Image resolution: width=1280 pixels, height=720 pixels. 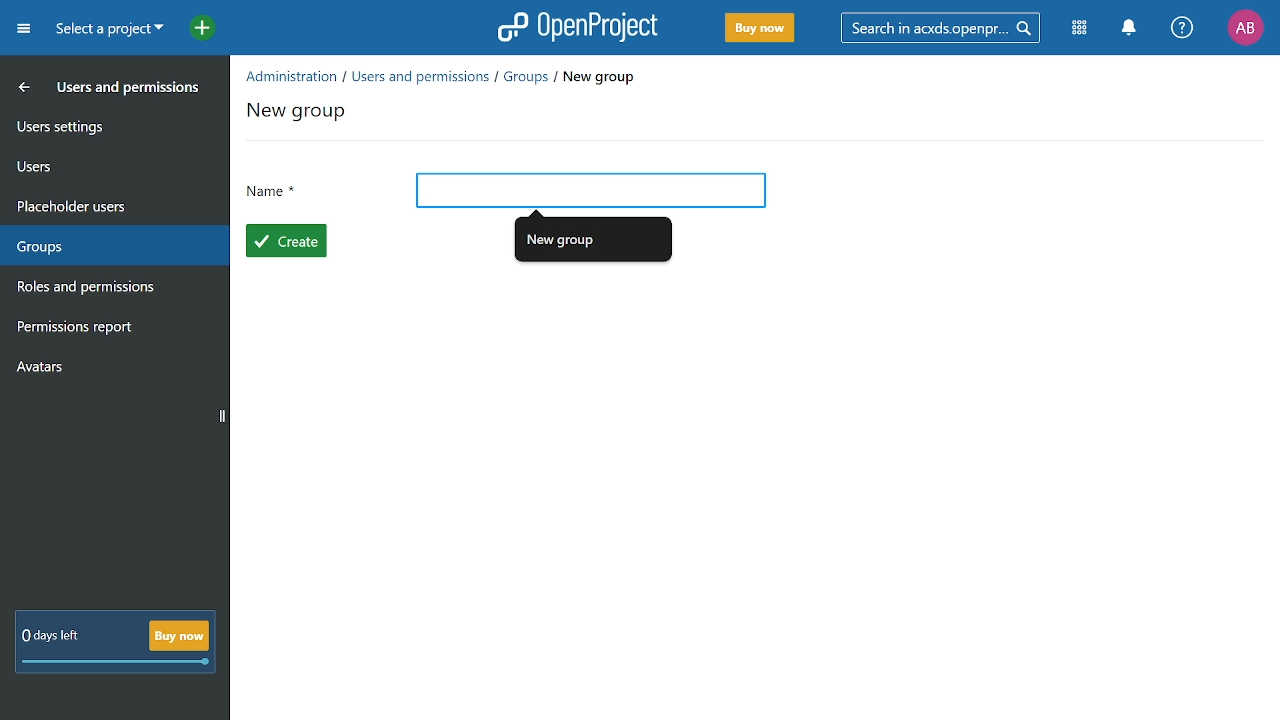 I want to click on avatars, so click(x=104, y=365).